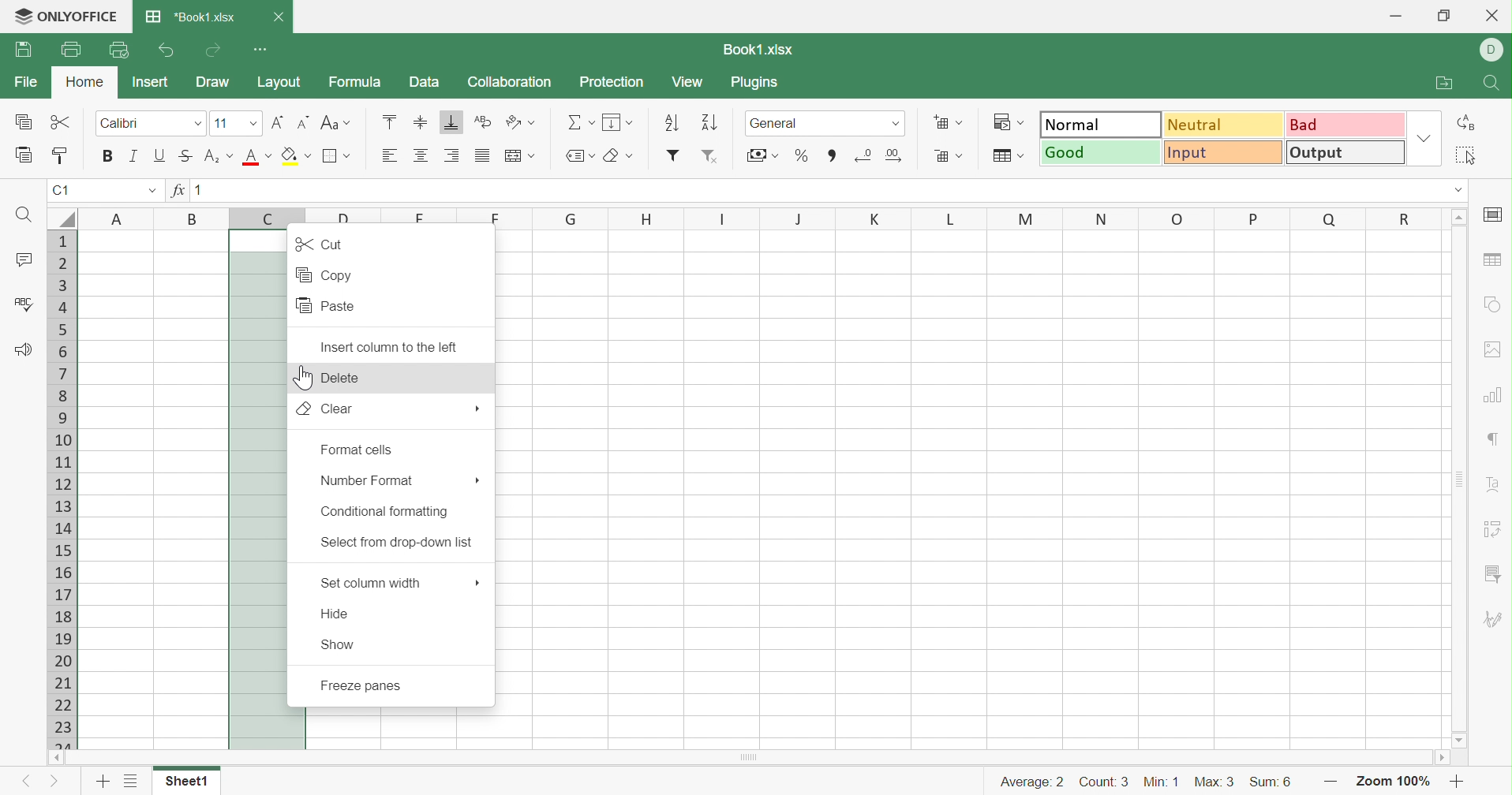 Image resolution: width=1512 pixels, height=795 pixels. I want to click on Output, so click(1347, 154).